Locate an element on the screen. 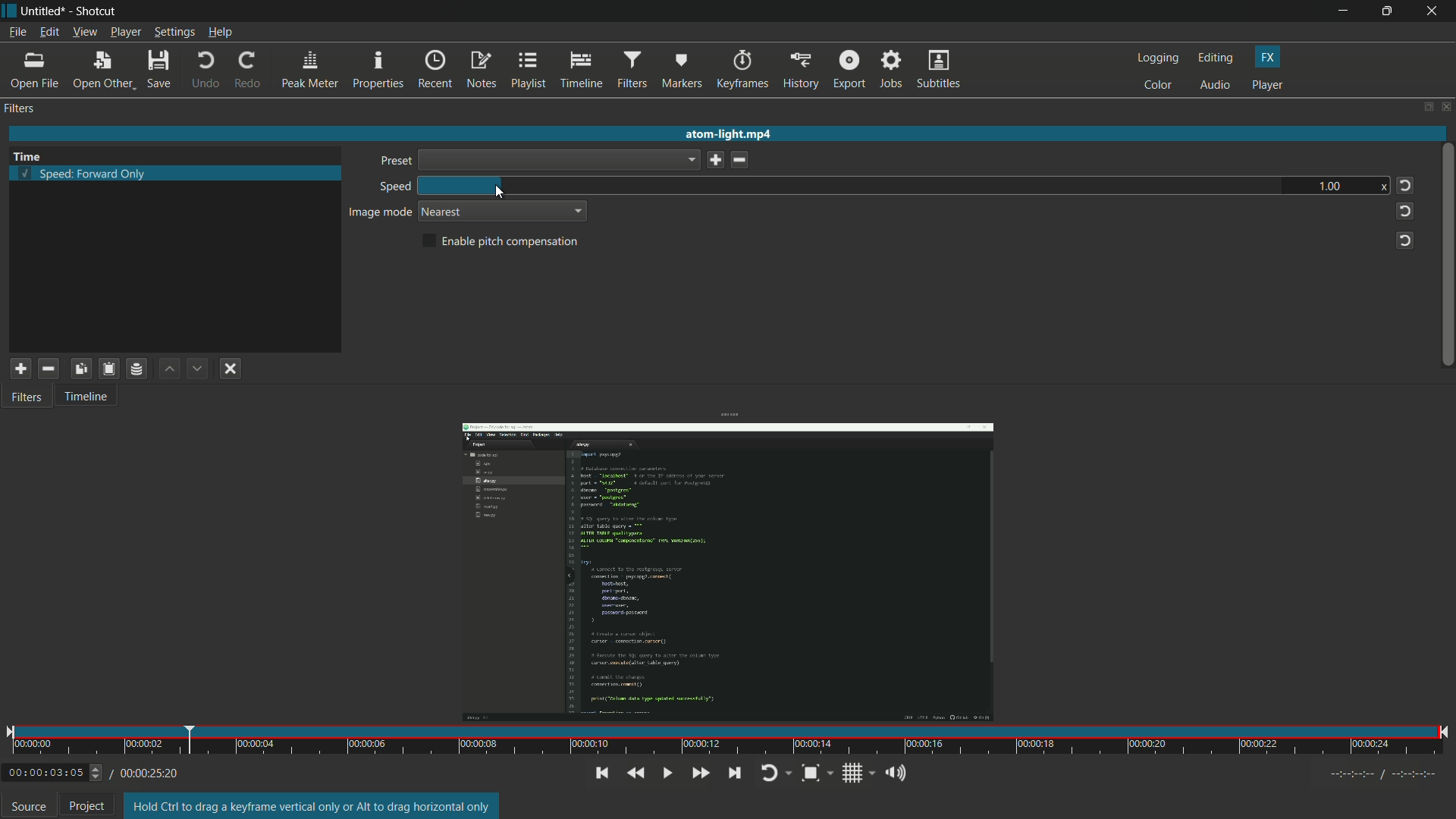 The height and width of the screenshot is (819, 1456). Filters is located at coordinates (33, 401).